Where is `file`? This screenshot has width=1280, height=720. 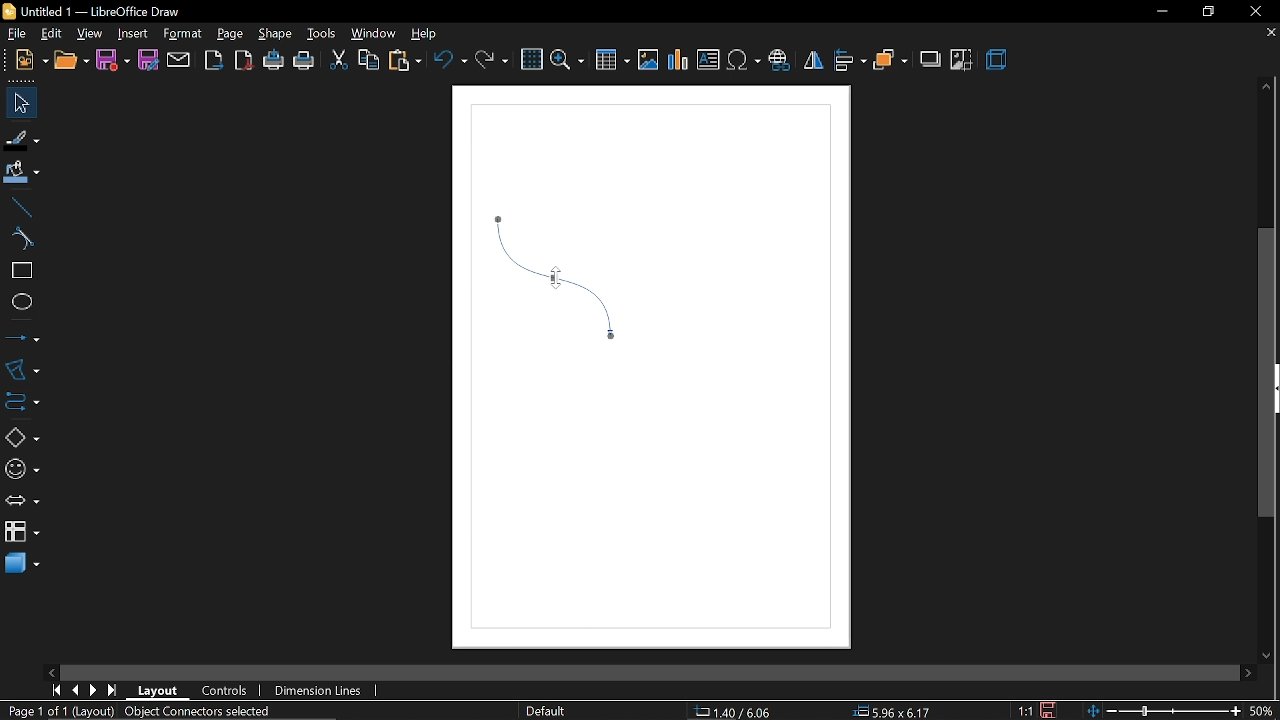 file is located at coordinates (13, 33).